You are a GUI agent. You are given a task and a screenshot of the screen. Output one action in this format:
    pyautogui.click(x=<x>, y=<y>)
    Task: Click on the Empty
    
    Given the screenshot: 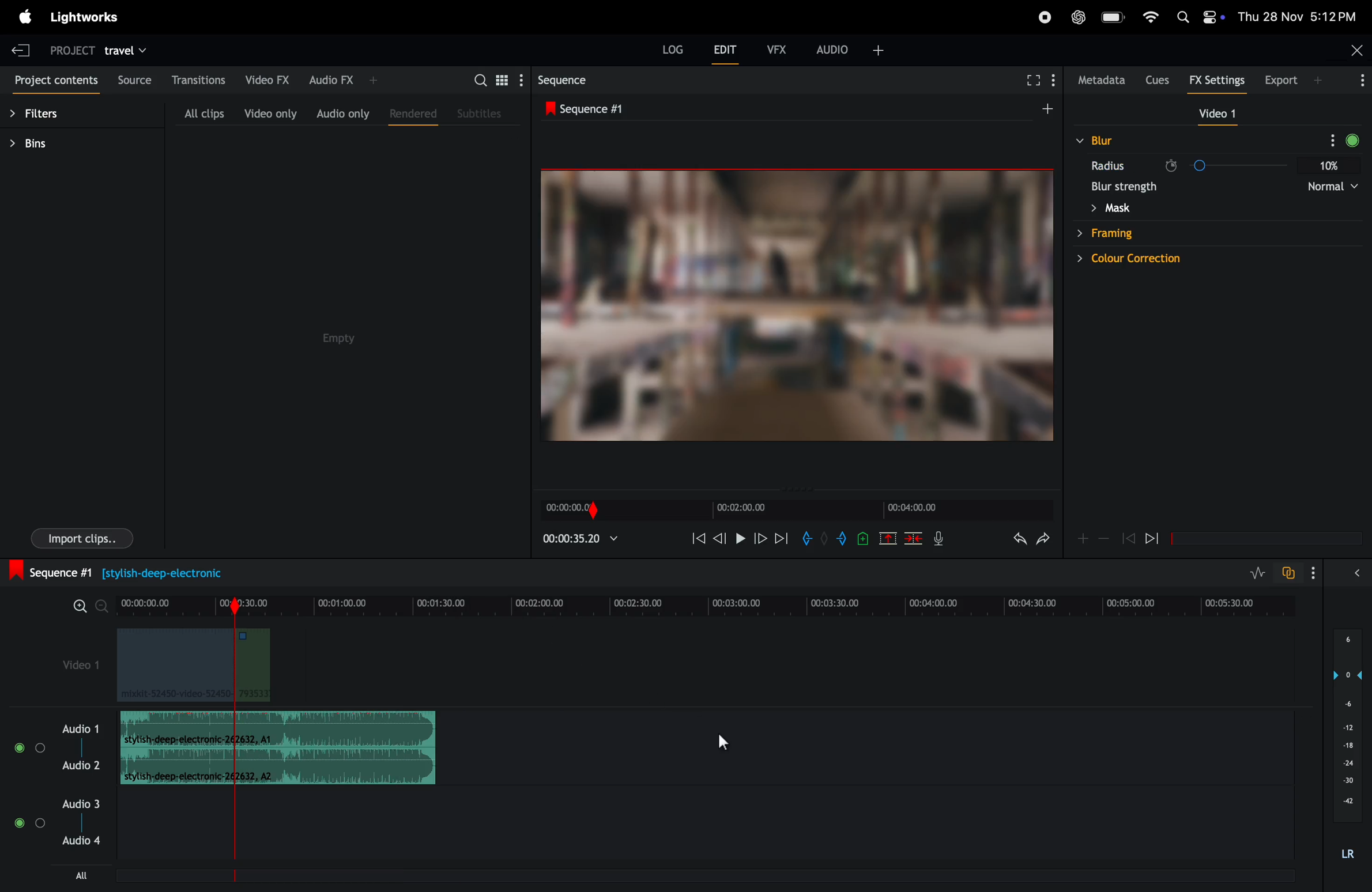 What is the action you would take?
    pyautogui.click(x=360, y=334)
    